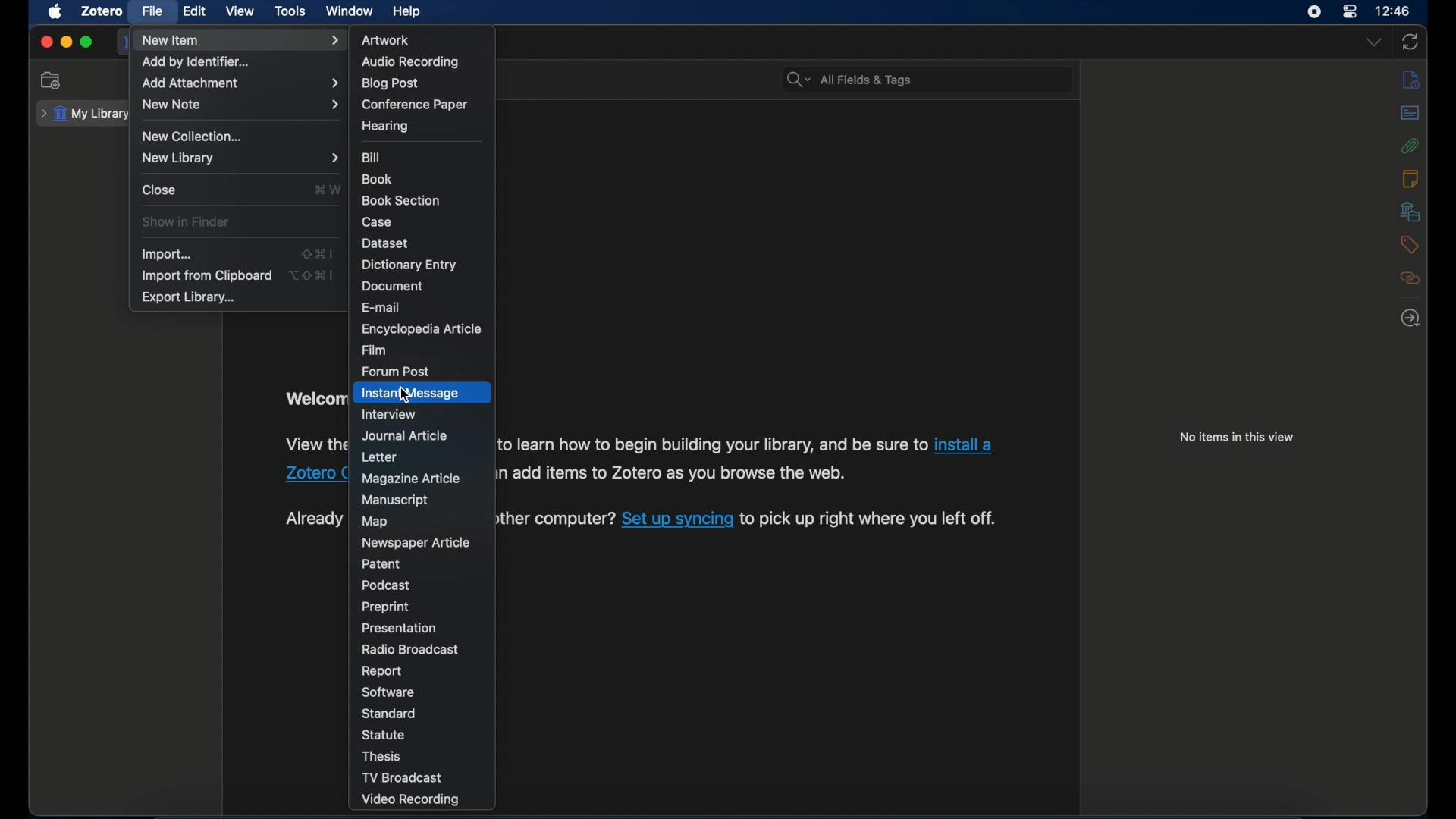  What do you see at coordinates (314, 275) in the screenshot?
I see `shortcut` at bounding box center [314, 275].